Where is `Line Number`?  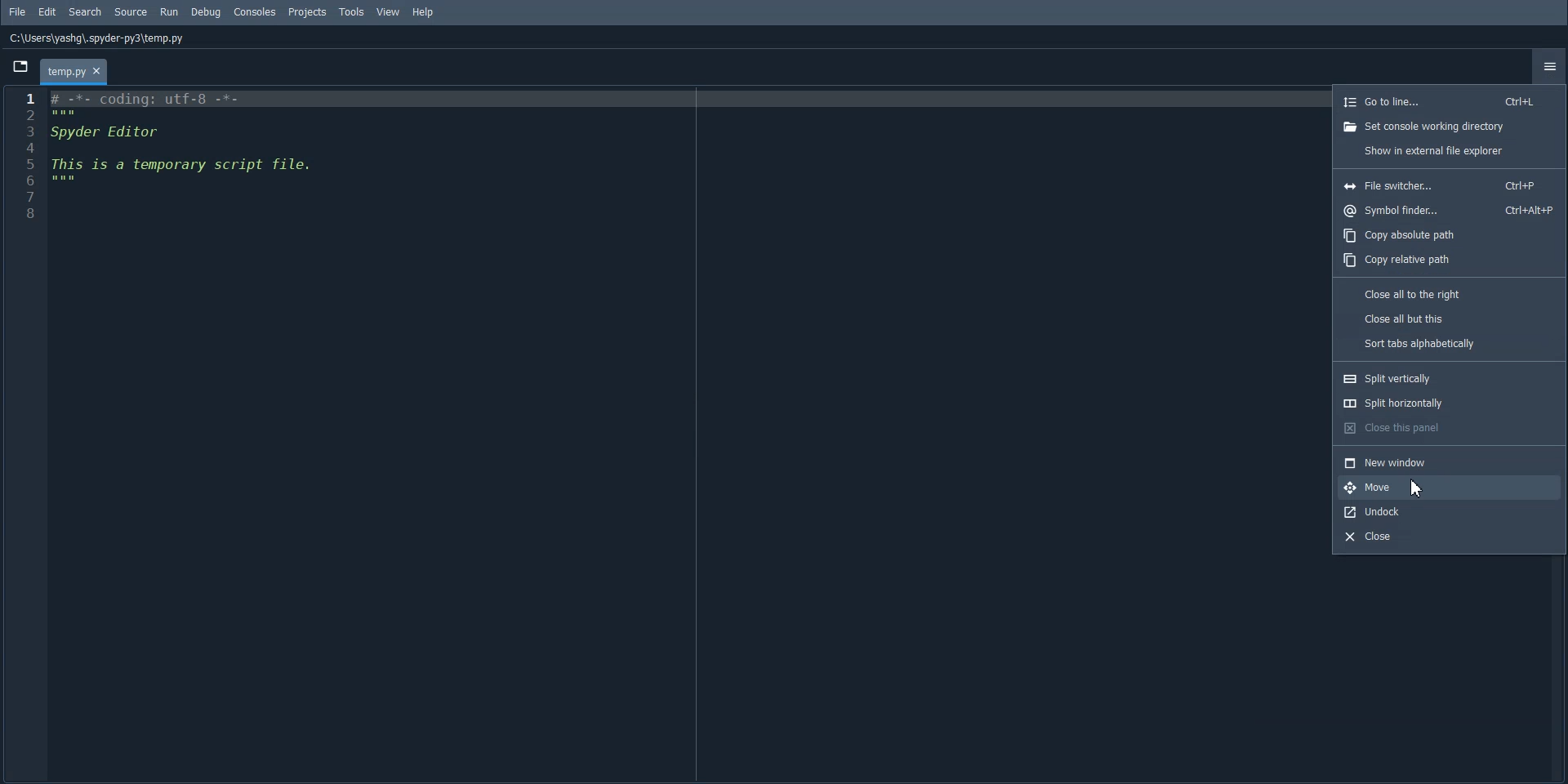 Line Number is located at coordinates (28, 155).